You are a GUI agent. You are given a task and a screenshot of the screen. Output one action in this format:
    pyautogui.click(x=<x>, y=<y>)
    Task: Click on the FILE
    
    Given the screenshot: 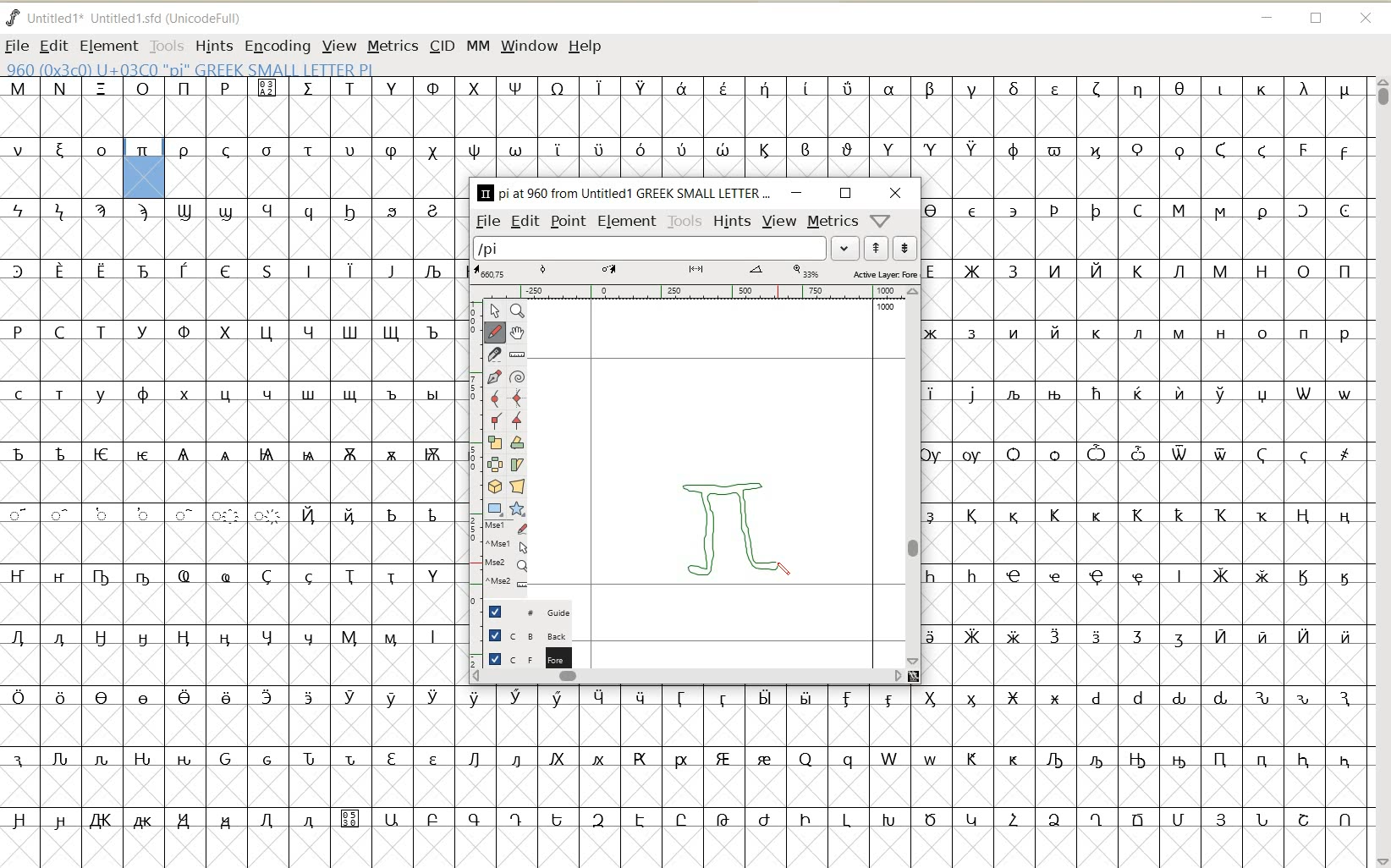 What is the action you would take?
    pyautogui.click(x=16, y=46)
    